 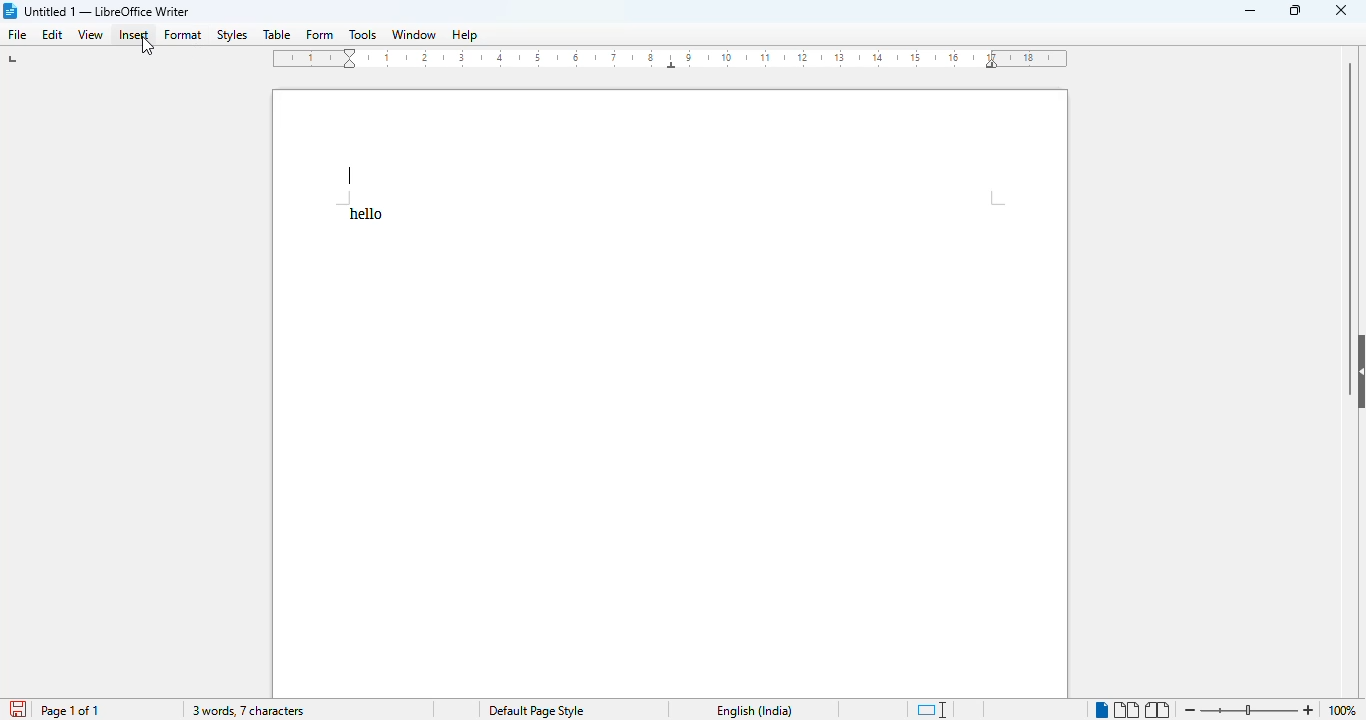 I want to click on multi-page view, so click(x=1126, y=710).